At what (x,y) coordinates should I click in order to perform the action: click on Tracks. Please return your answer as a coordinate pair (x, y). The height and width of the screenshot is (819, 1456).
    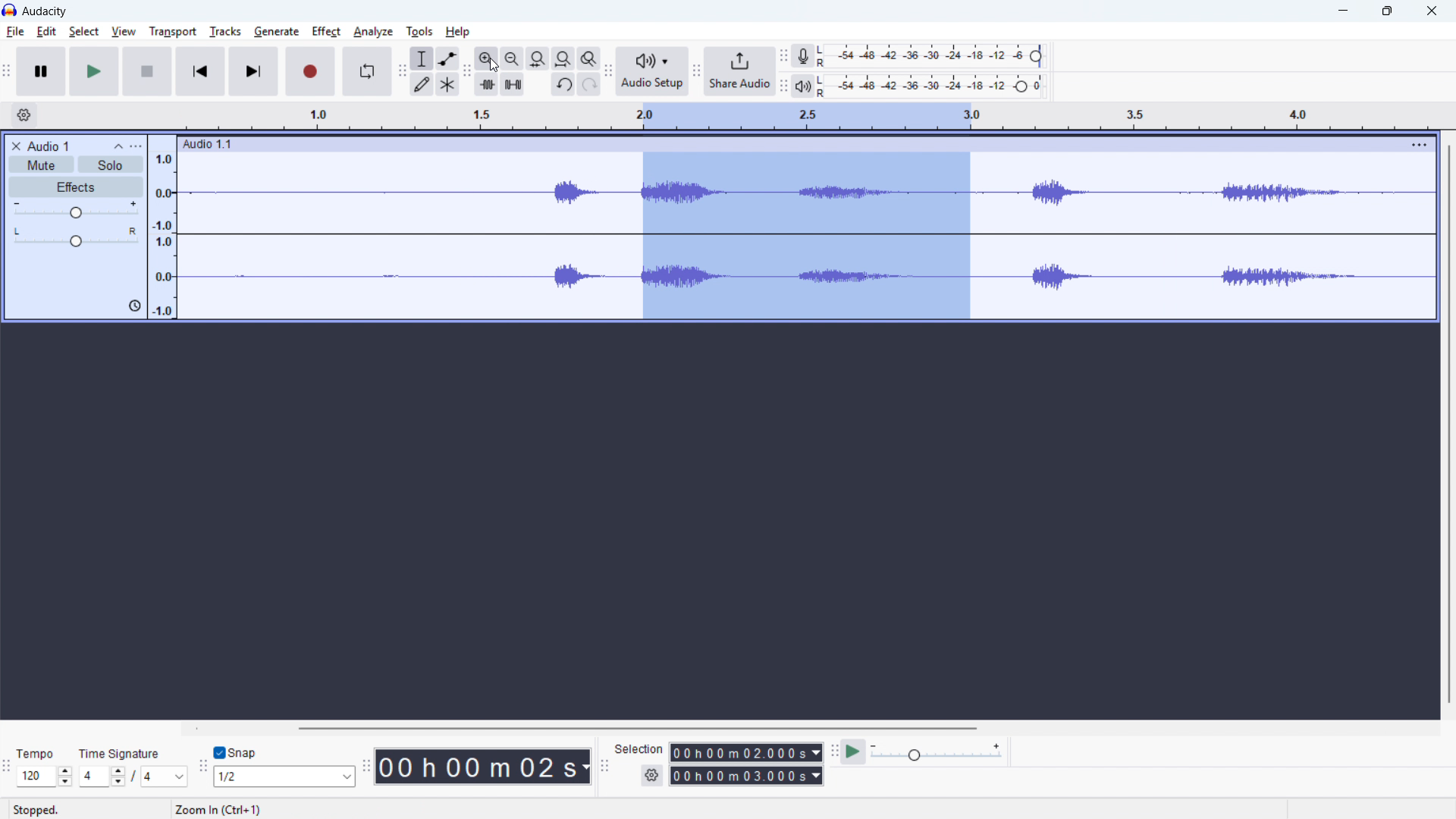
    Looking at the image, I should click on (226, 31).